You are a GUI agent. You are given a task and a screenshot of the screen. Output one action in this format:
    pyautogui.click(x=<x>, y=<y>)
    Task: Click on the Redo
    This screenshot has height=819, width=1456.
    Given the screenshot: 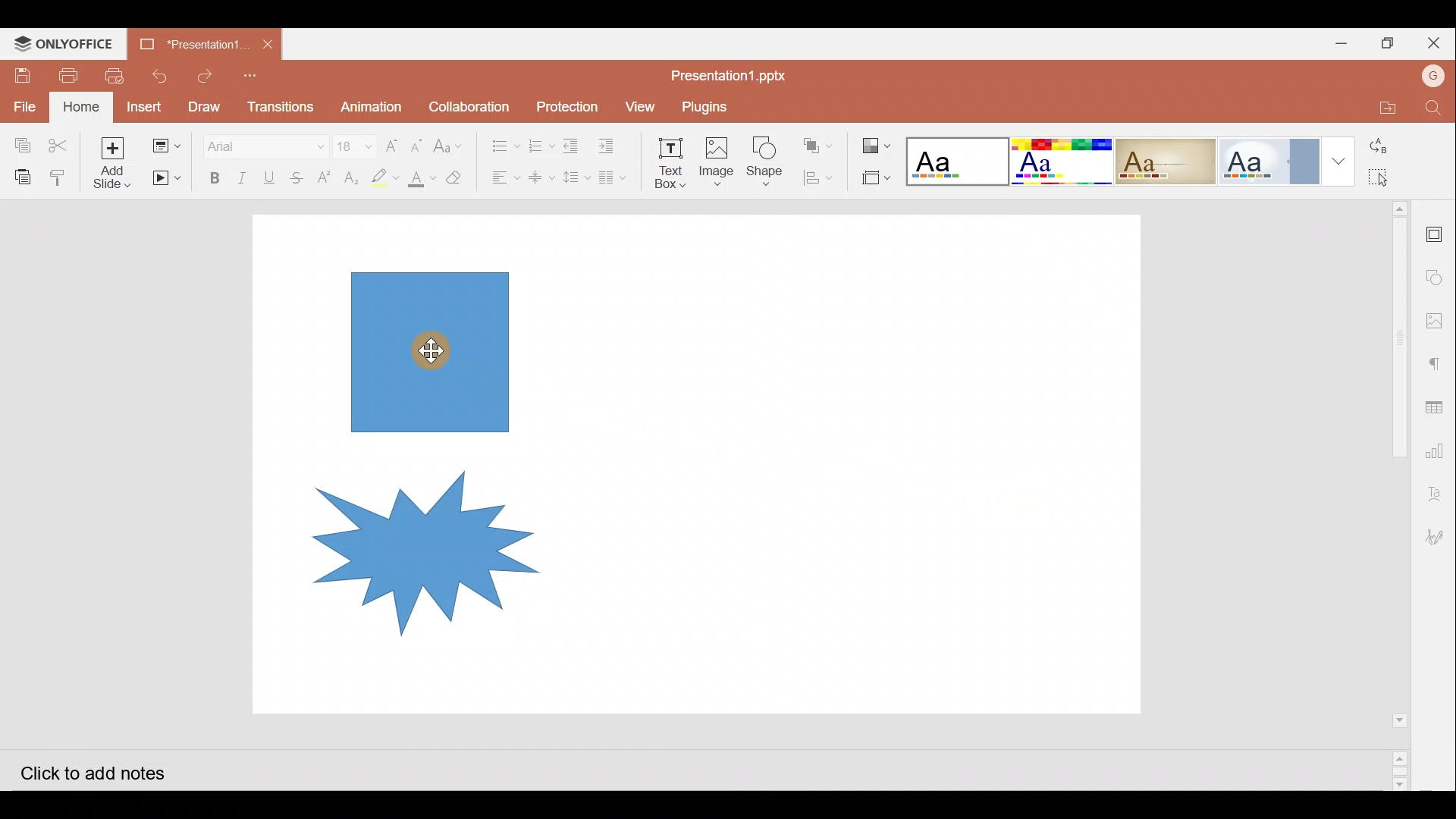 What is the action you would take?
    pyautogui.click(x=205, y=73)
    